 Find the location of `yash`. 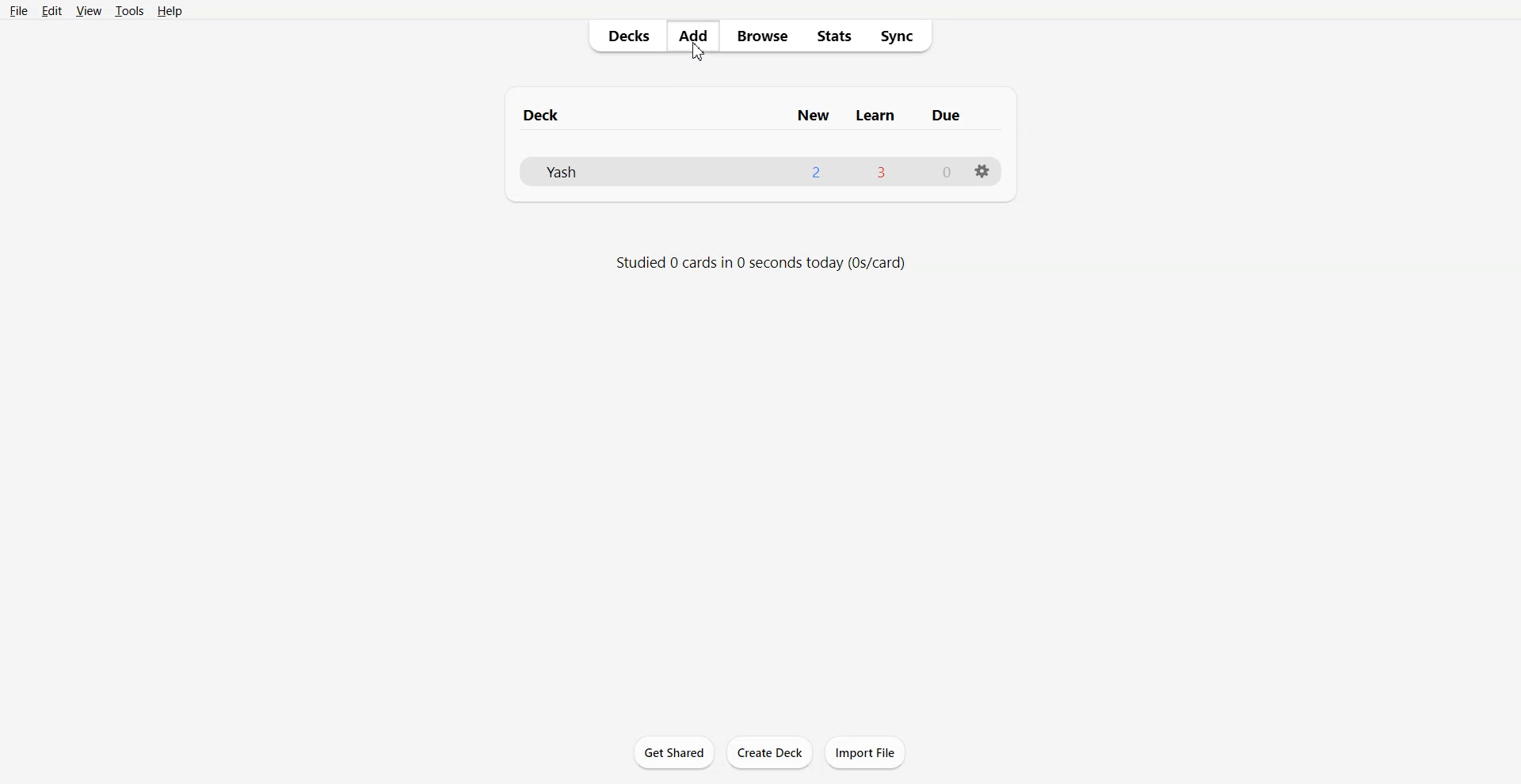

yash is located at coordinates (555, 174).